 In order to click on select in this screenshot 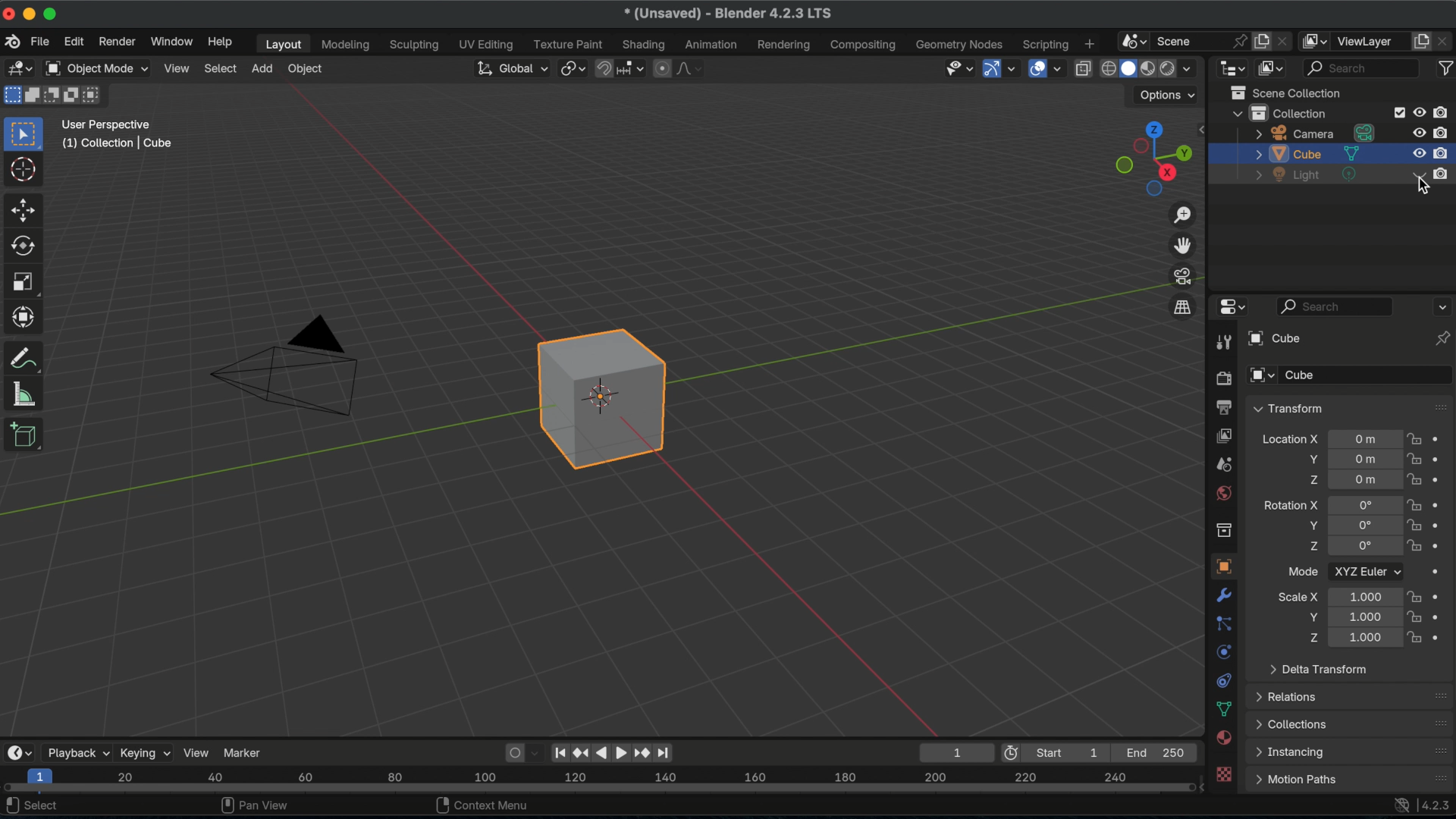, I will do `click(221, 68)`.